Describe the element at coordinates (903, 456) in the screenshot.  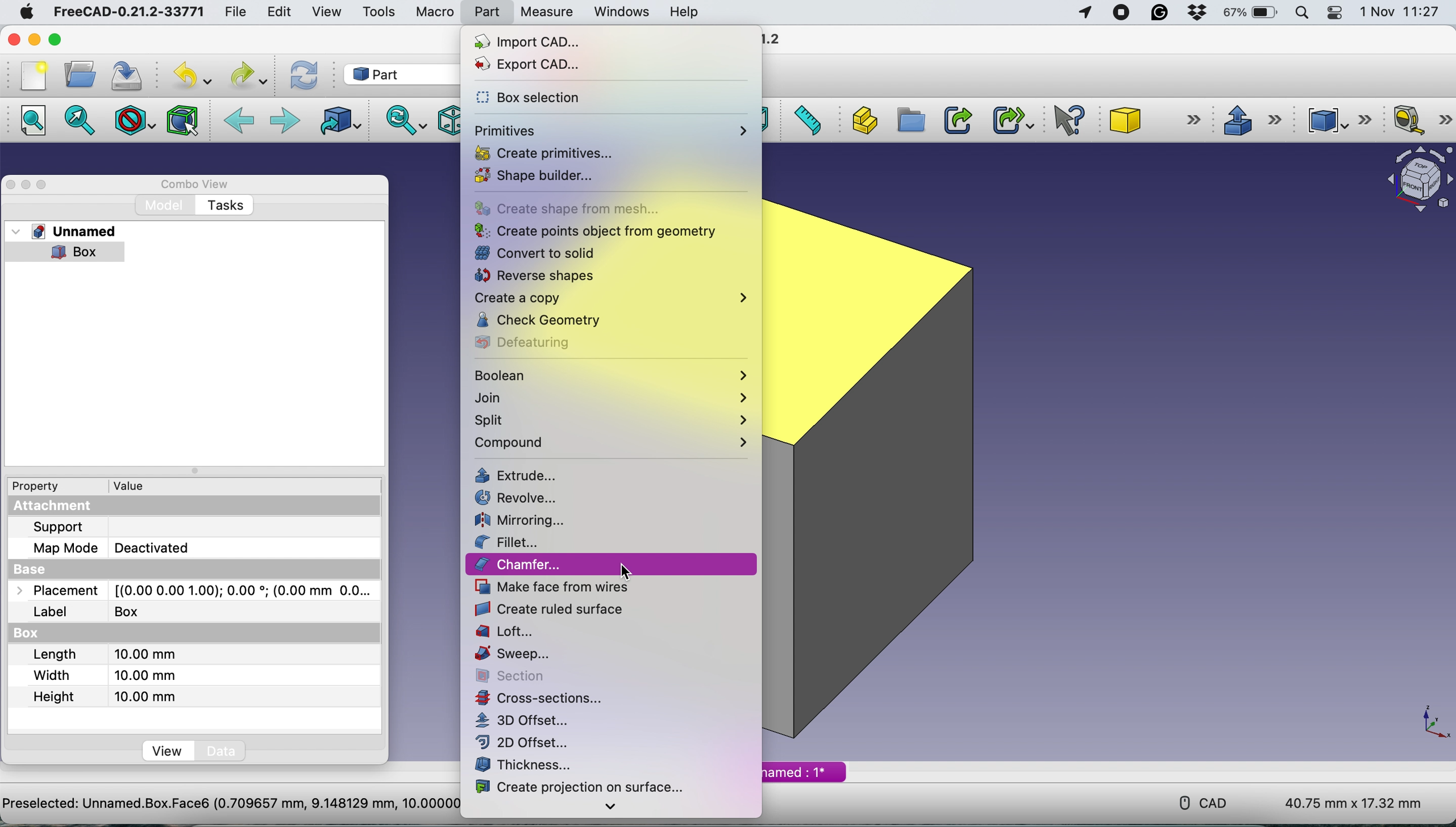
I see `box` at that location.